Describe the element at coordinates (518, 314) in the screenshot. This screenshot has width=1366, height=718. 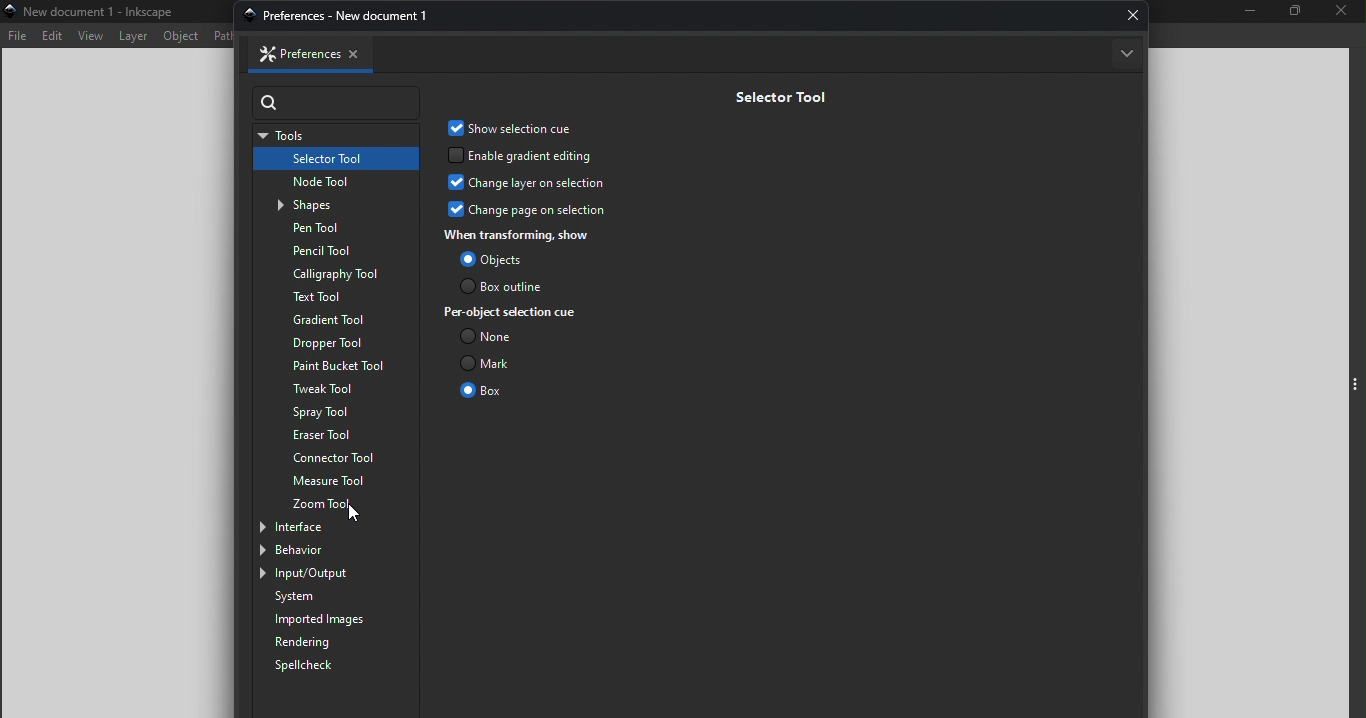
I see `Per-object selection cue` at that location.